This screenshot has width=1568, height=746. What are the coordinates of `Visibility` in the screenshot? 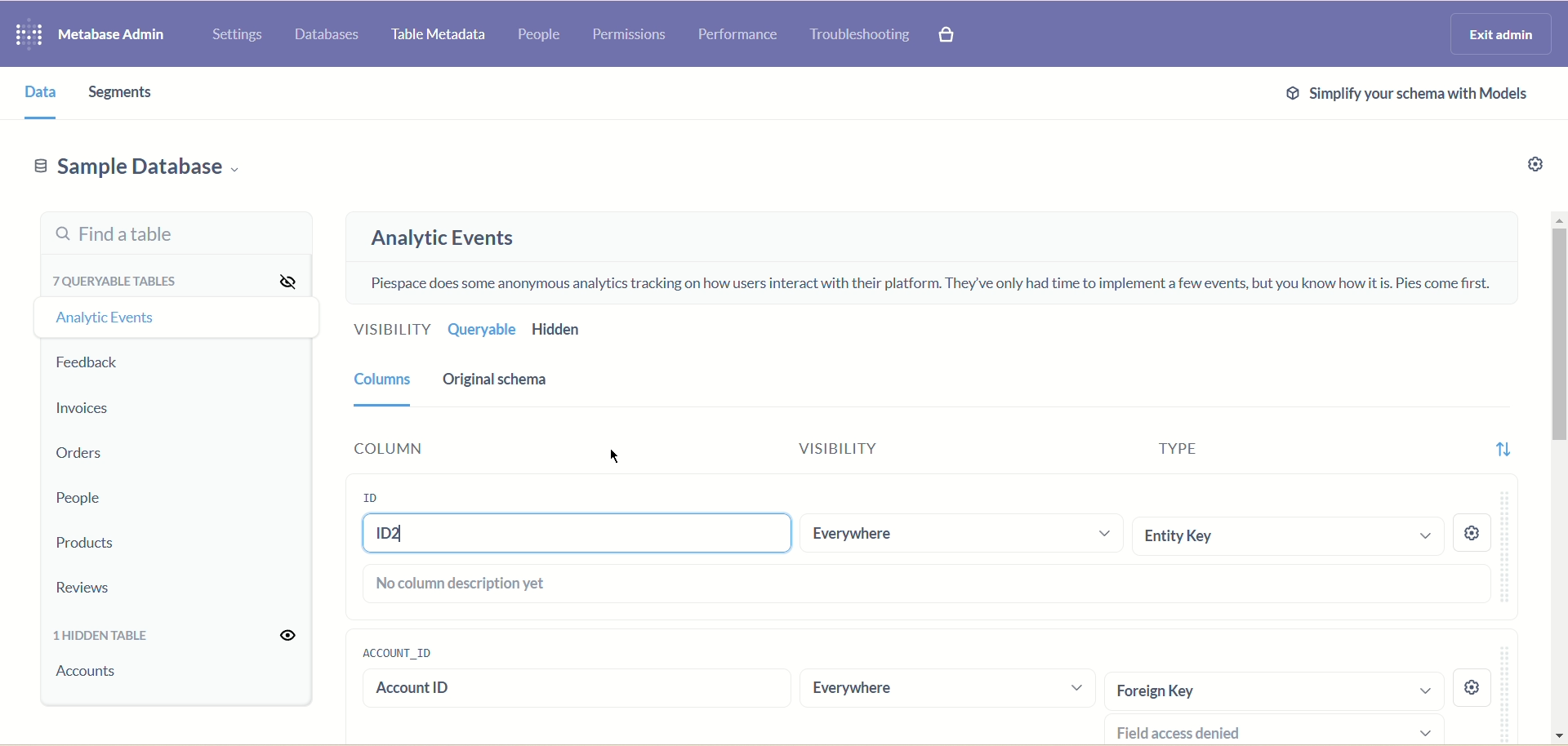 It's located at (834, 449).